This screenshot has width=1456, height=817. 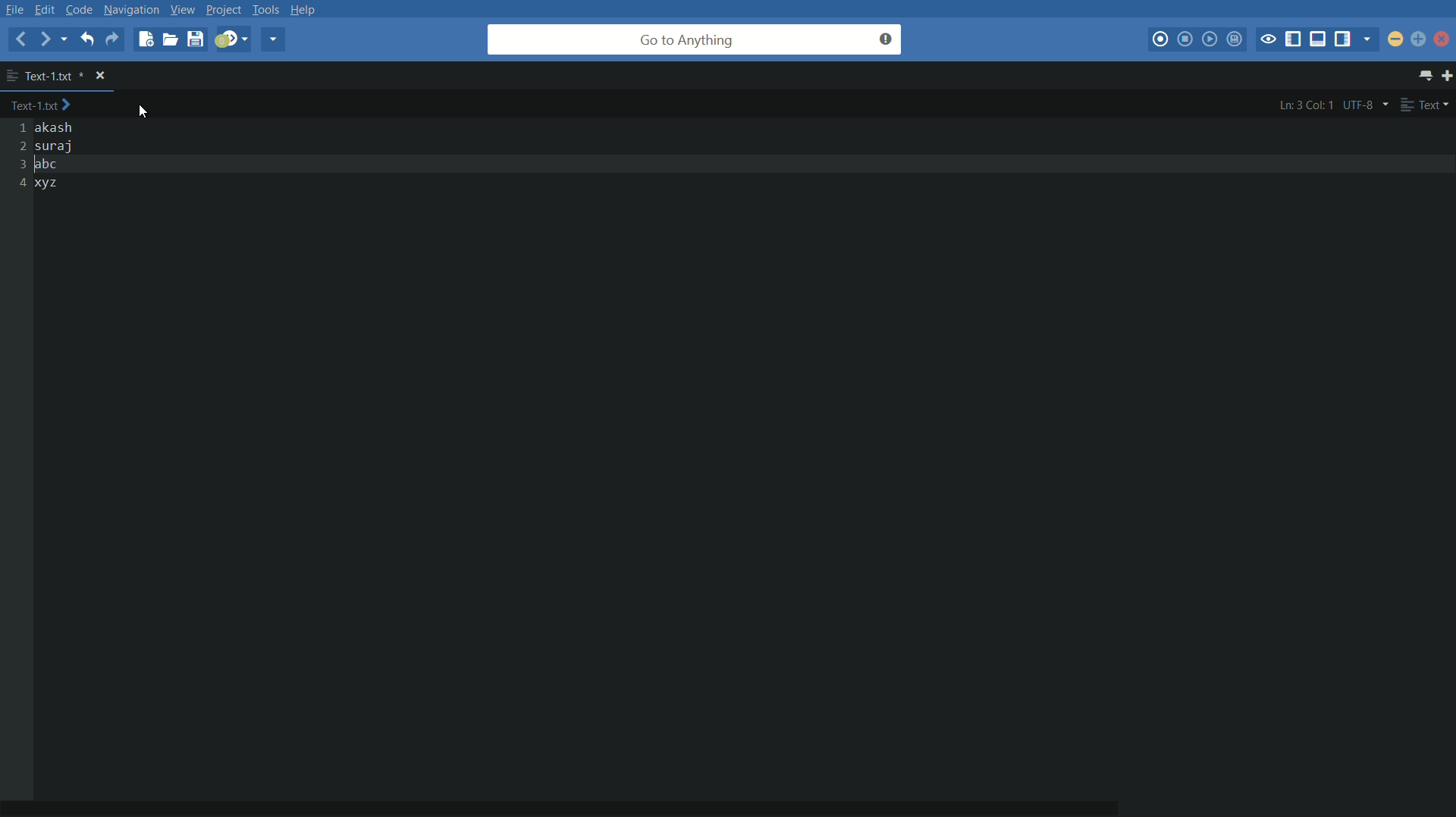 I want to click on text cursor, so click(x=36, y=166).